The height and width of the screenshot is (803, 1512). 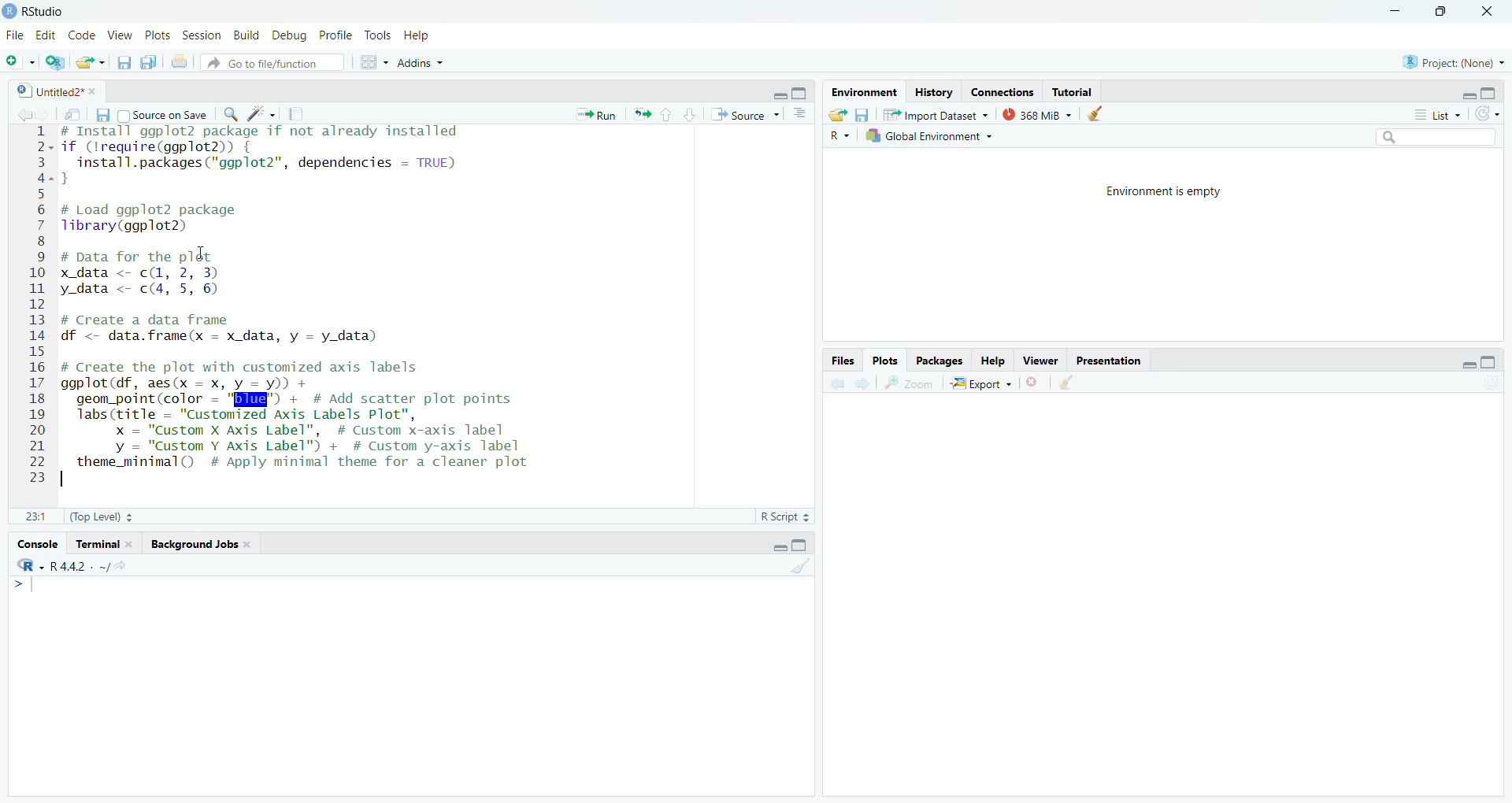 I want to click on R Script =, so click(x=786, y=516).